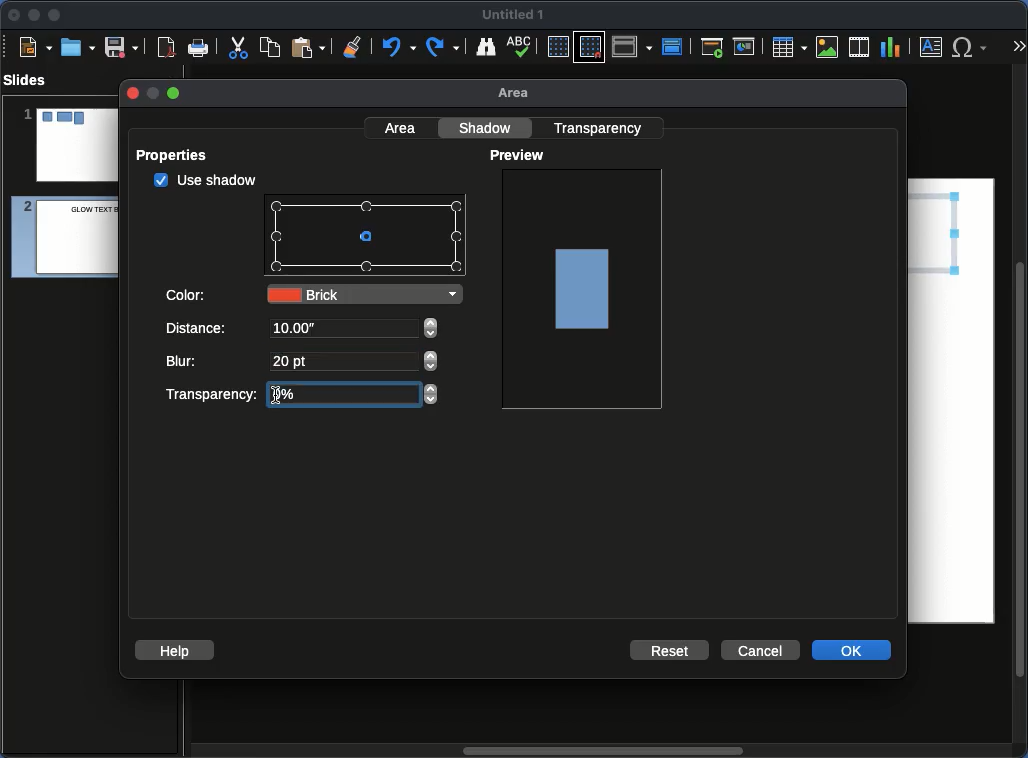  Describe the element at coordinates (712, 47) in the screenshot. I see `First slide` at that location.